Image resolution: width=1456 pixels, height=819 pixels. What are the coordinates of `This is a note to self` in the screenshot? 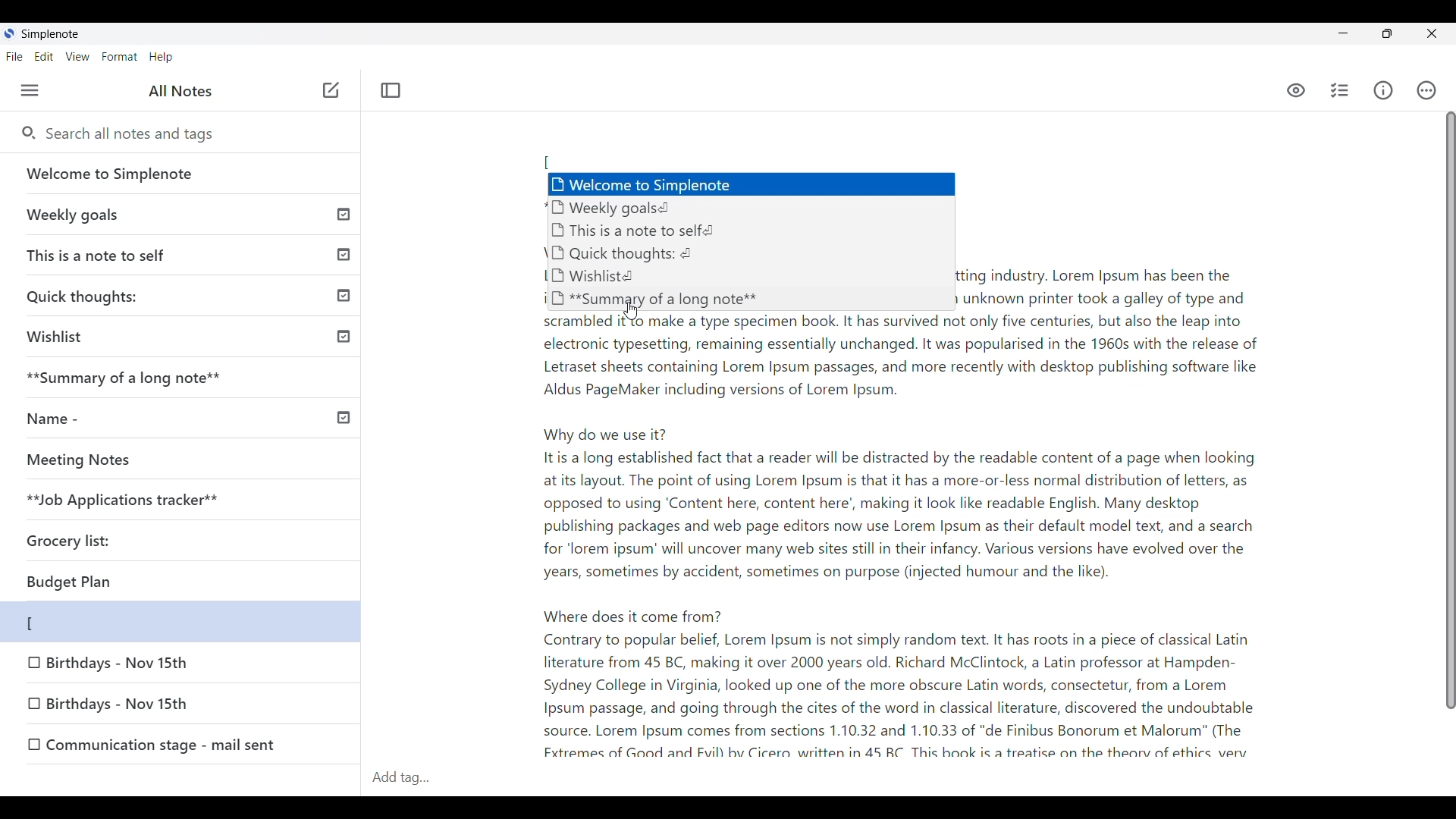 It's located at (733, 230).